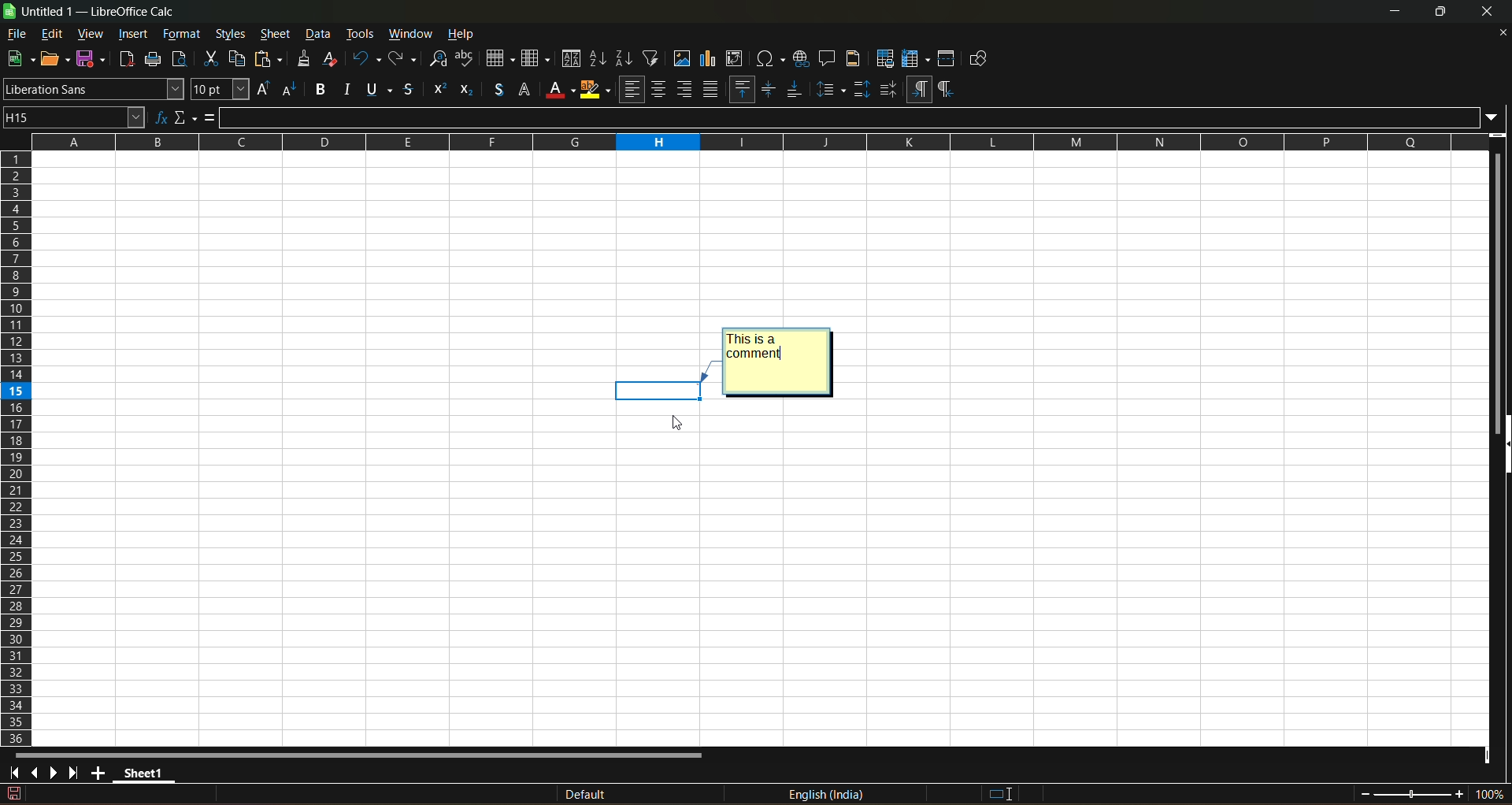 This screenshot has height=805, width=1512. What do you see at coordinates (782, 89) in the screenshot?
I see `format as number` at bounding box center [782, 89].